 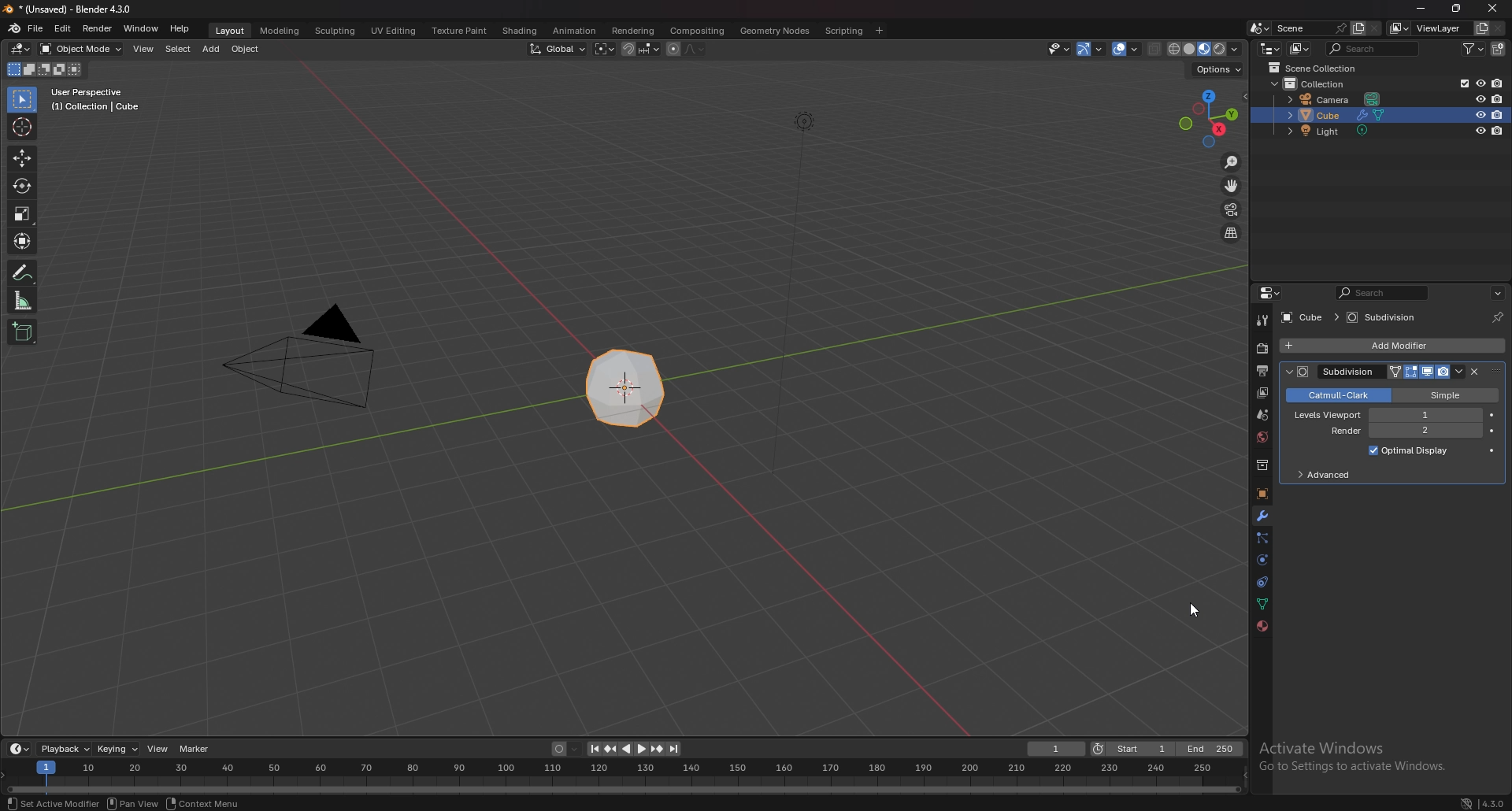 What do you see at coordinates (695, 50) in the screenshot?
I see `proportional editing fall off` at bounding box center [695, 50].